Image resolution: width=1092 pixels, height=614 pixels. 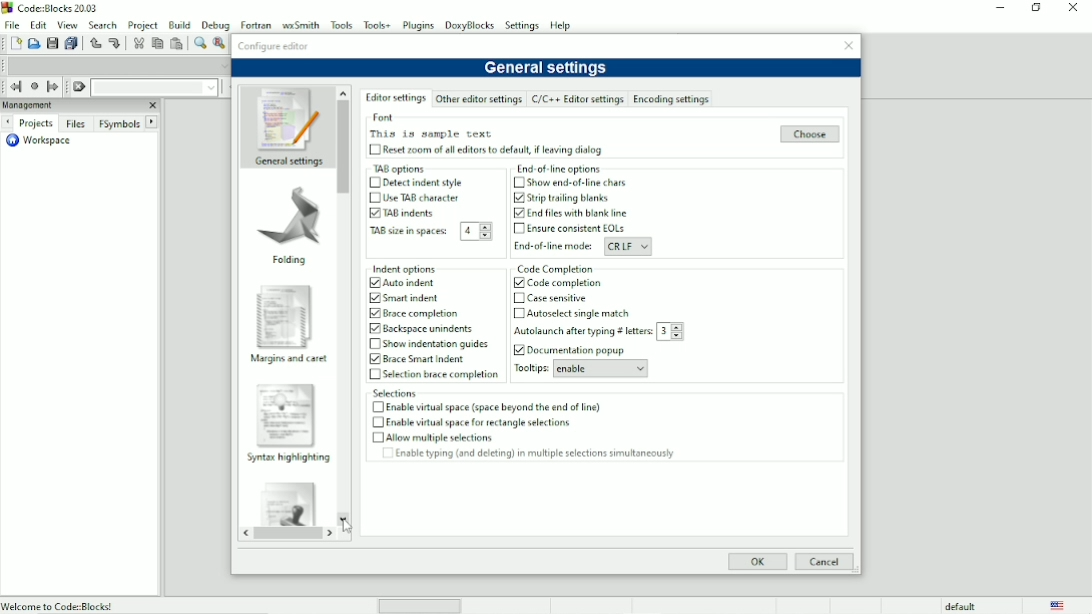 I want to click on up, so click(x=342, y=91).